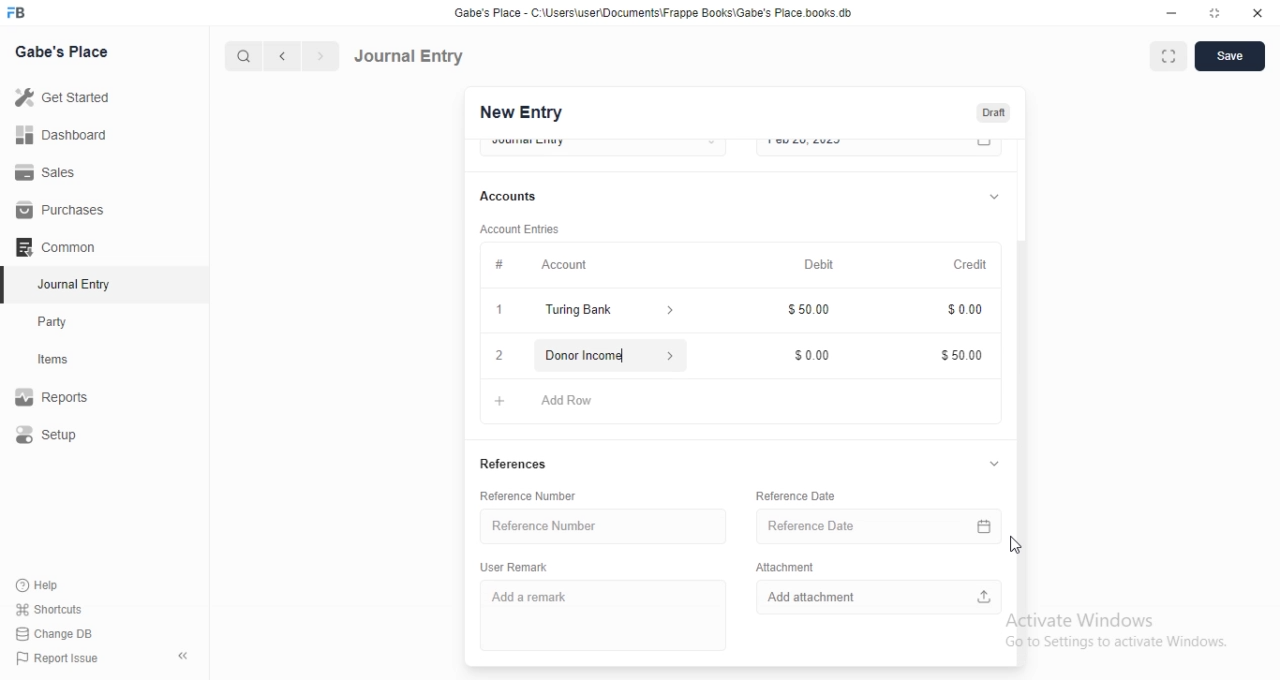 This screenshot has height=680, width=1280. I want to click on previous, so click(279, 56).